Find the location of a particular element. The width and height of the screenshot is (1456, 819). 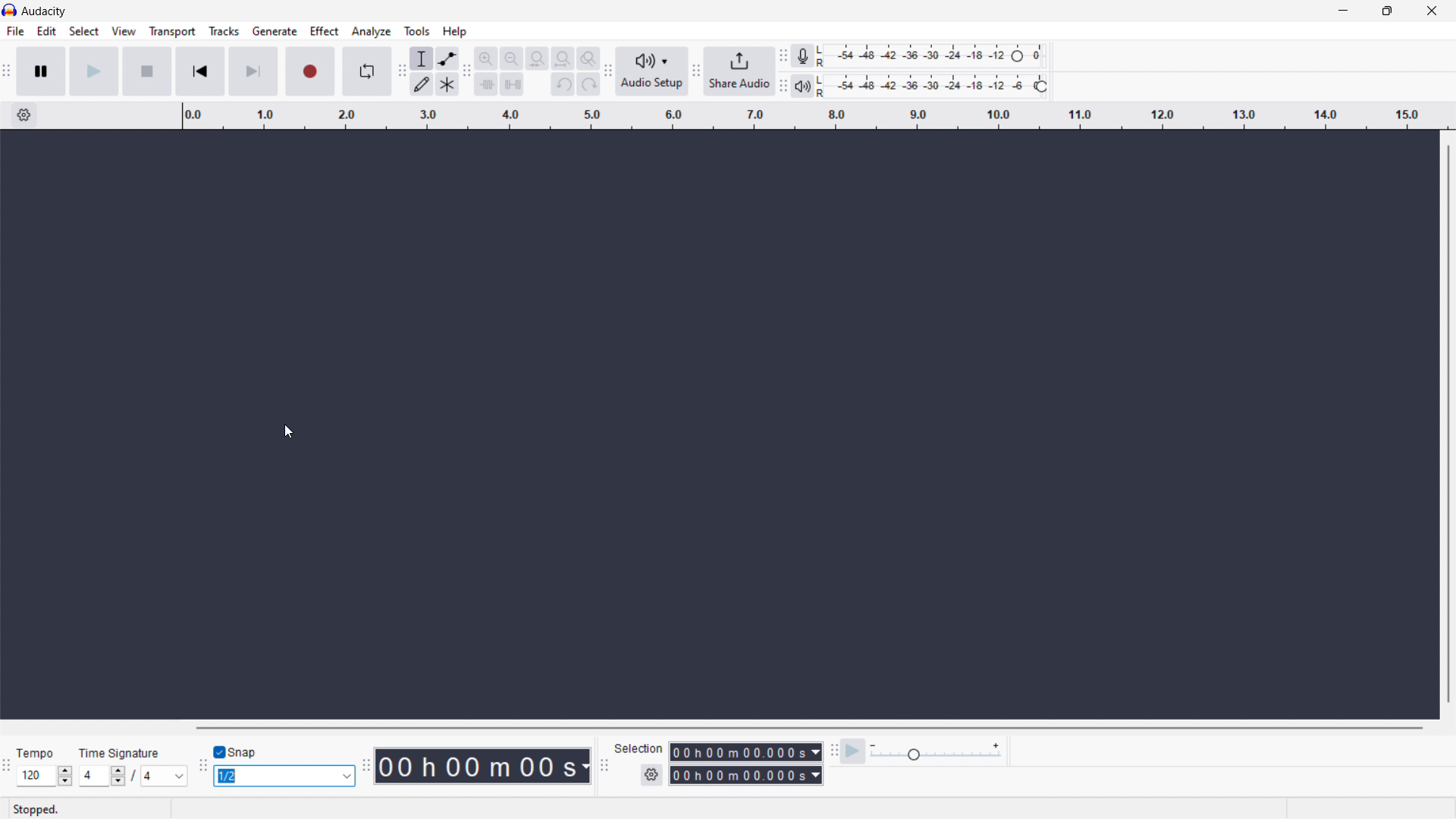

multi tool is located at coordinates (447, 85).